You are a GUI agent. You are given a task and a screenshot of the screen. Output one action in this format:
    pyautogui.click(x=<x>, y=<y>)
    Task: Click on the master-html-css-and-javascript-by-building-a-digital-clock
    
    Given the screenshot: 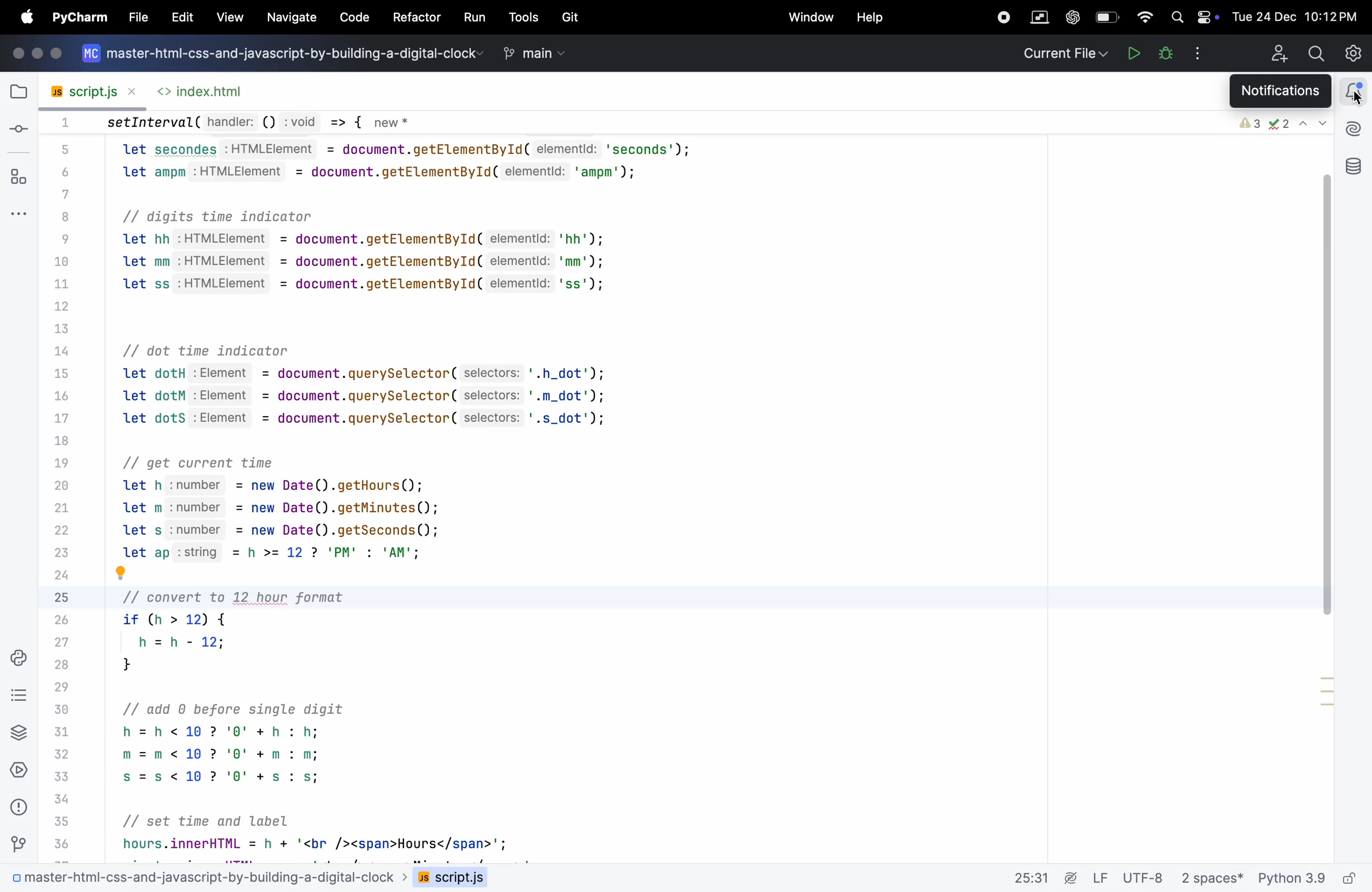 What is the action you would take?
    pyautogui.click(x=296, y=54)
    